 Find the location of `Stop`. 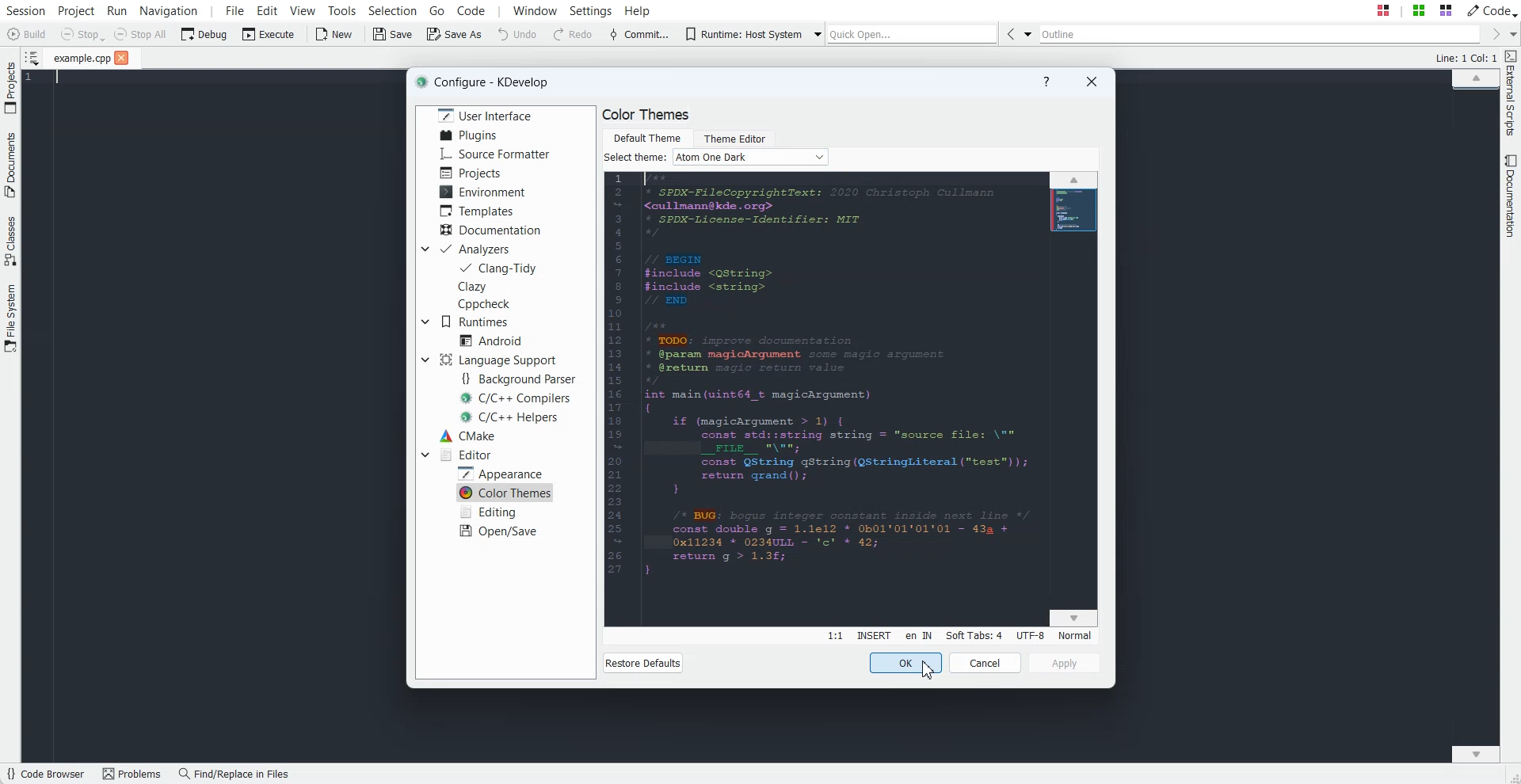

Stop is located at coordinates (82, 35).